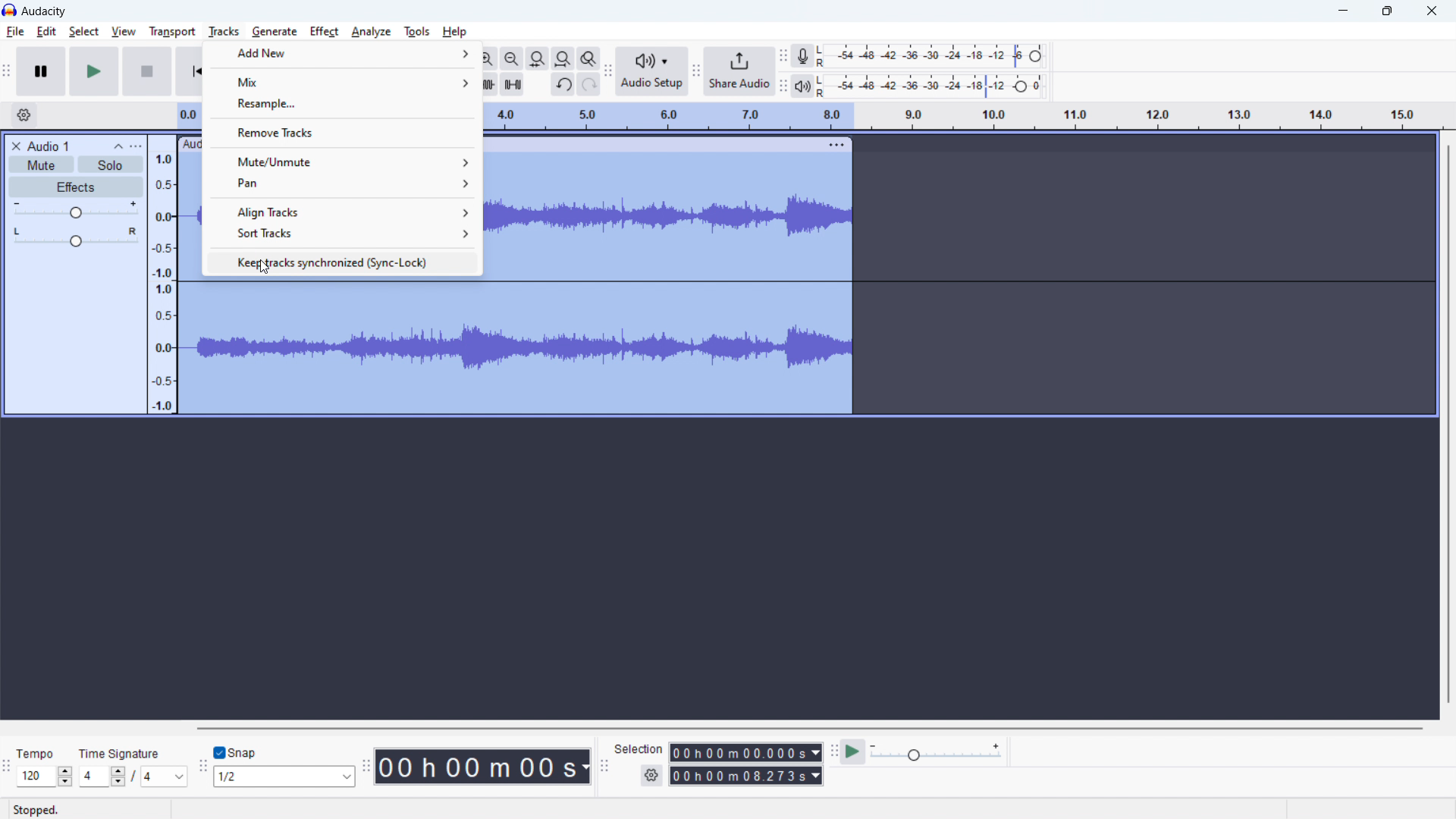 The width and height of the screenshot is (1456, 819). Describe the element at coordinates (201, 765) in the screenshot. I see `snapping toolbar` at that location.